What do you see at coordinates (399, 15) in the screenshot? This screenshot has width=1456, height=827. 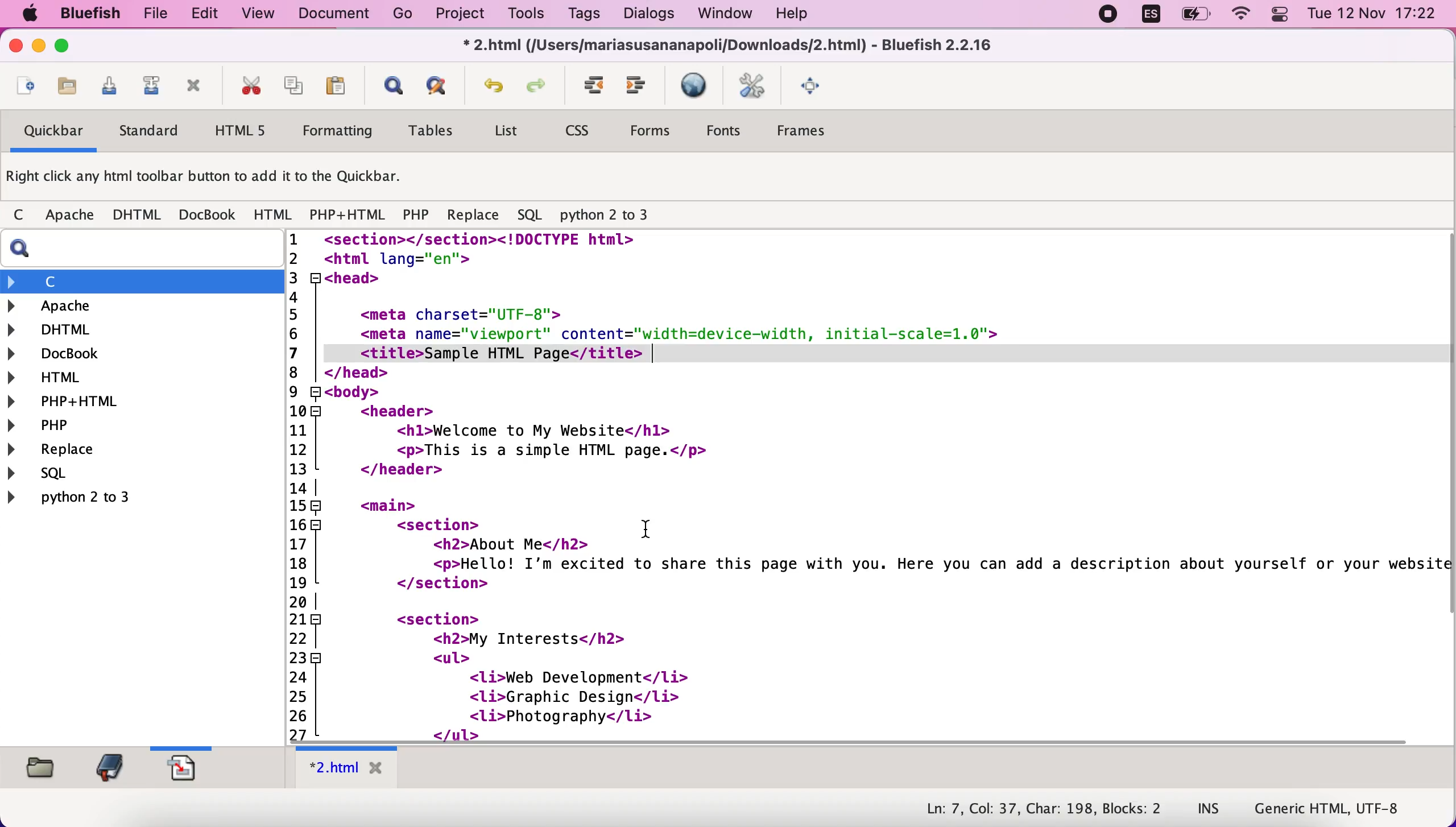 I see `go` at bounding box center [399, 15].